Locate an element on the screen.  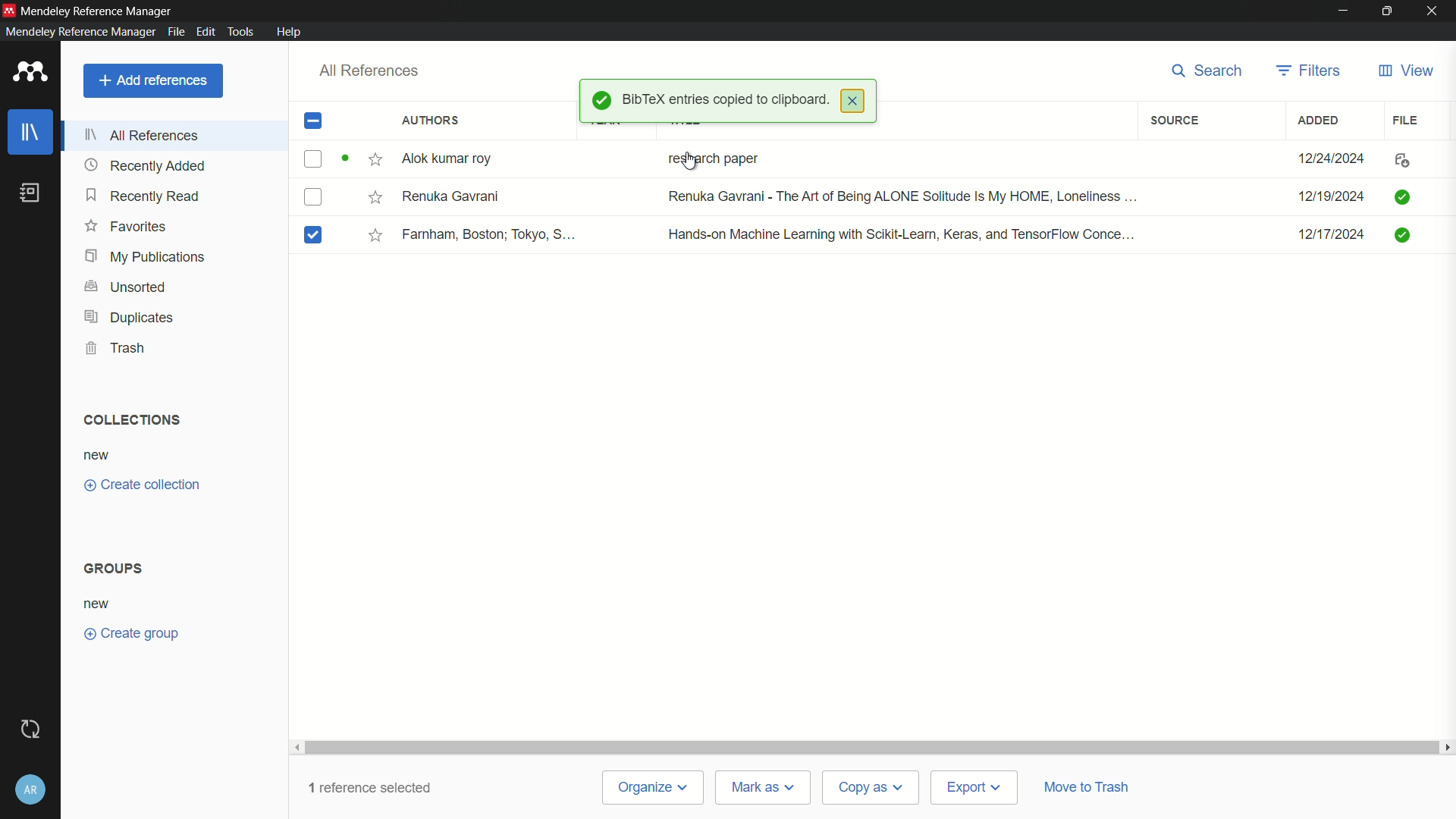
File is located at coordinates (1407, 158).